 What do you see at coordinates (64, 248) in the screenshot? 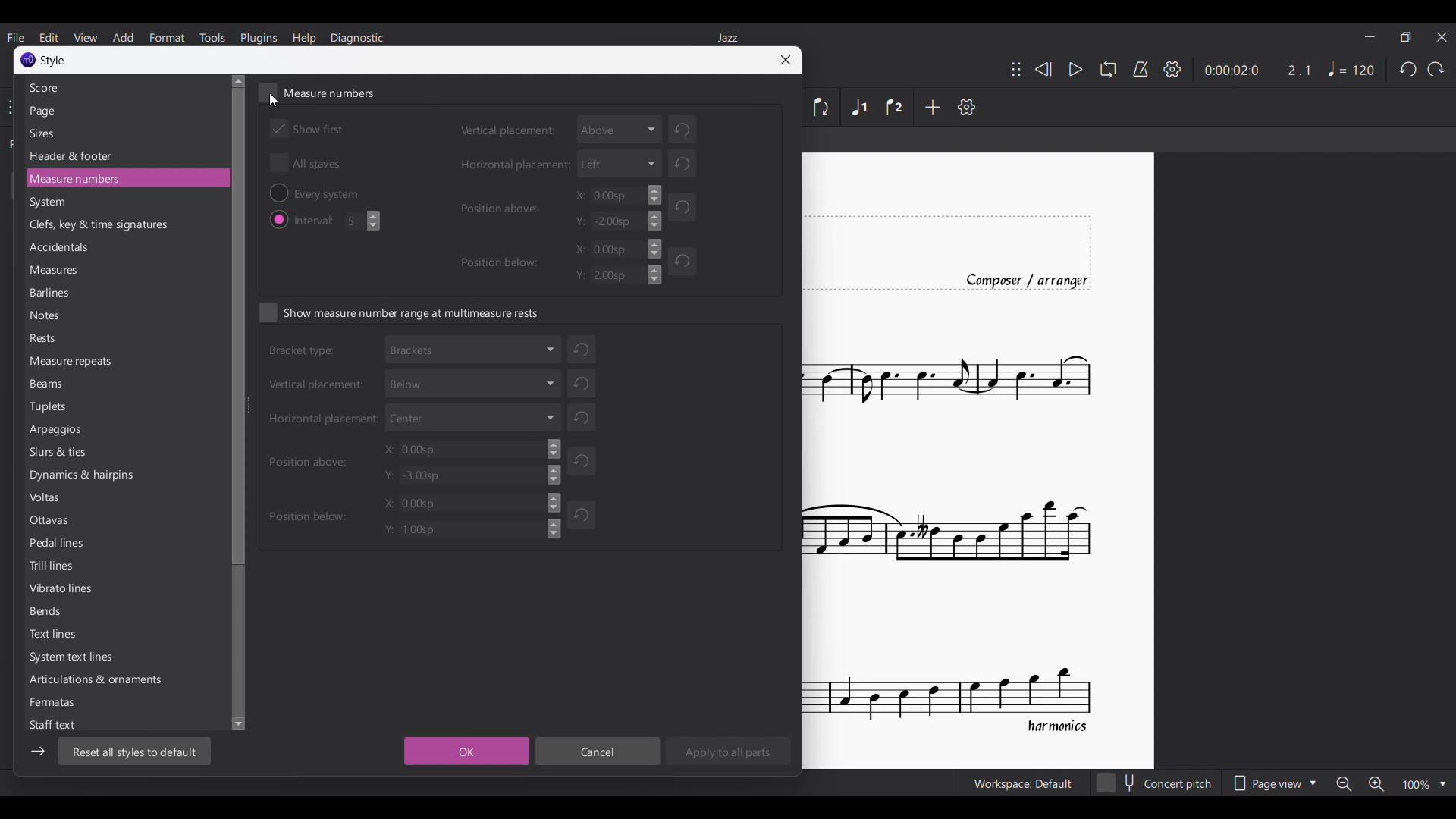
I see `Accidentals` at bounding box center [64, 248].